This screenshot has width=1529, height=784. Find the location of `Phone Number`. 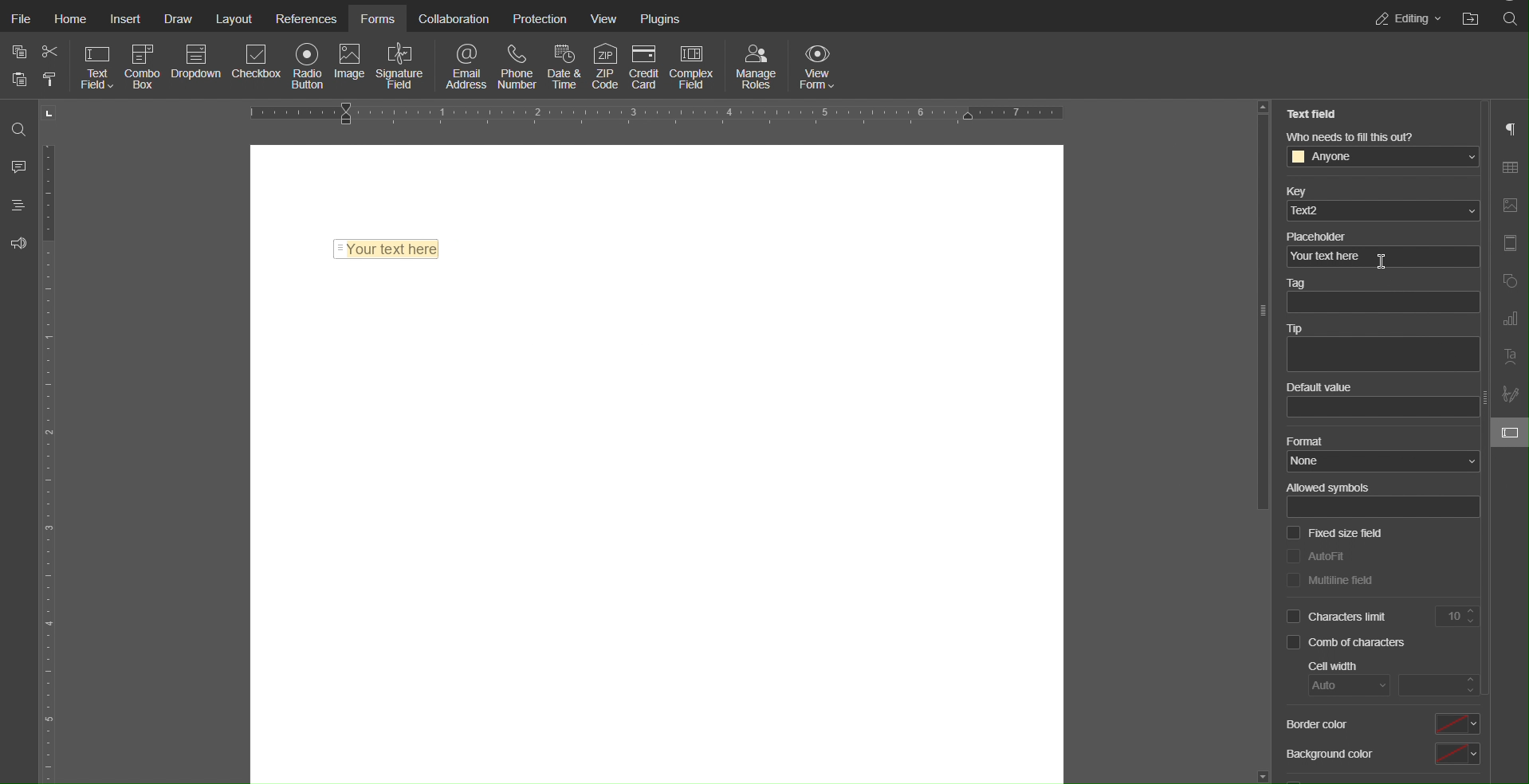

Phone Number is located at coordinates (517, 66).